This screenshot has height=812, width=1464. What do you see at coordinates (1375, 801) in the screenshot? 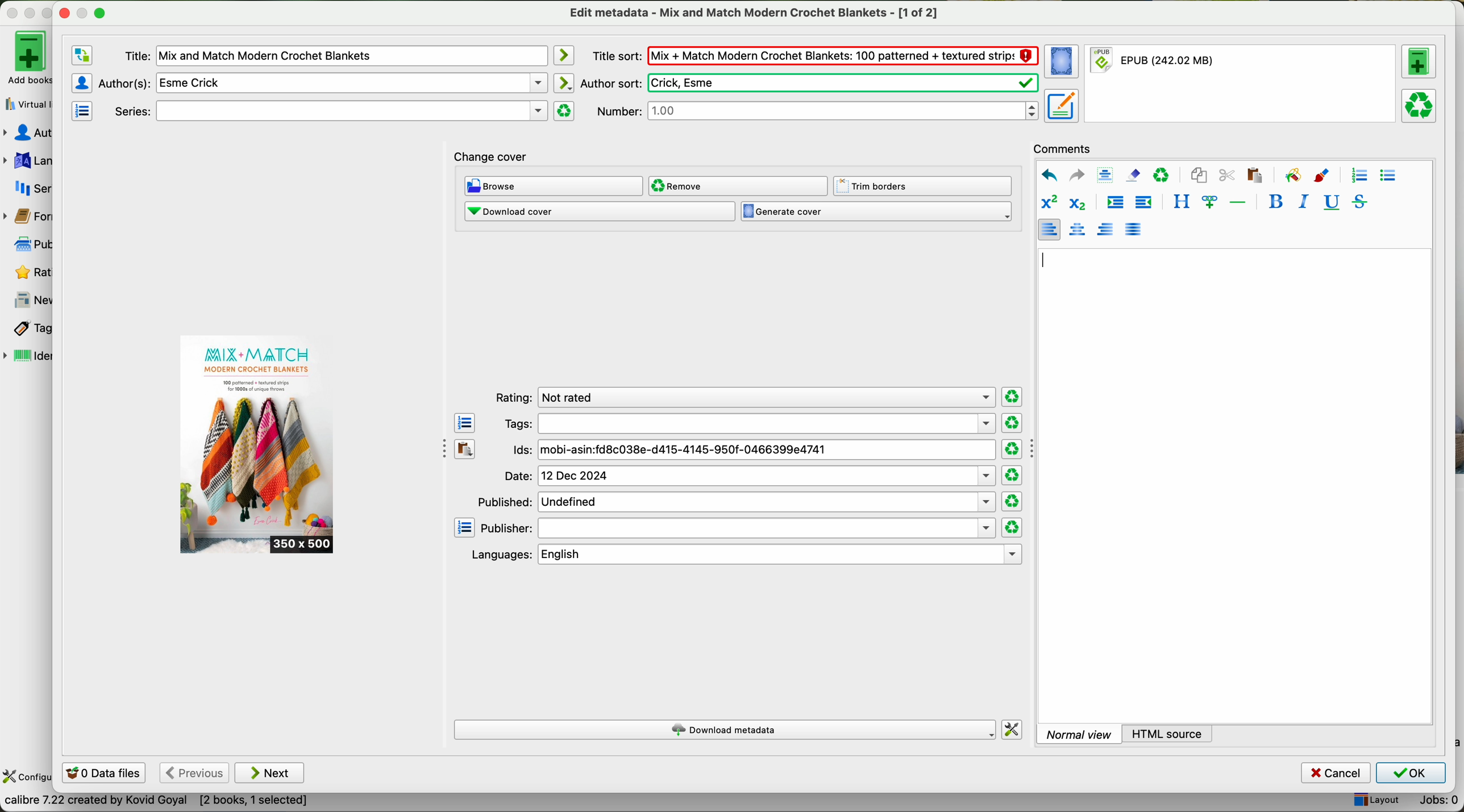
I see `layout` at bounding box center [1375, 801].